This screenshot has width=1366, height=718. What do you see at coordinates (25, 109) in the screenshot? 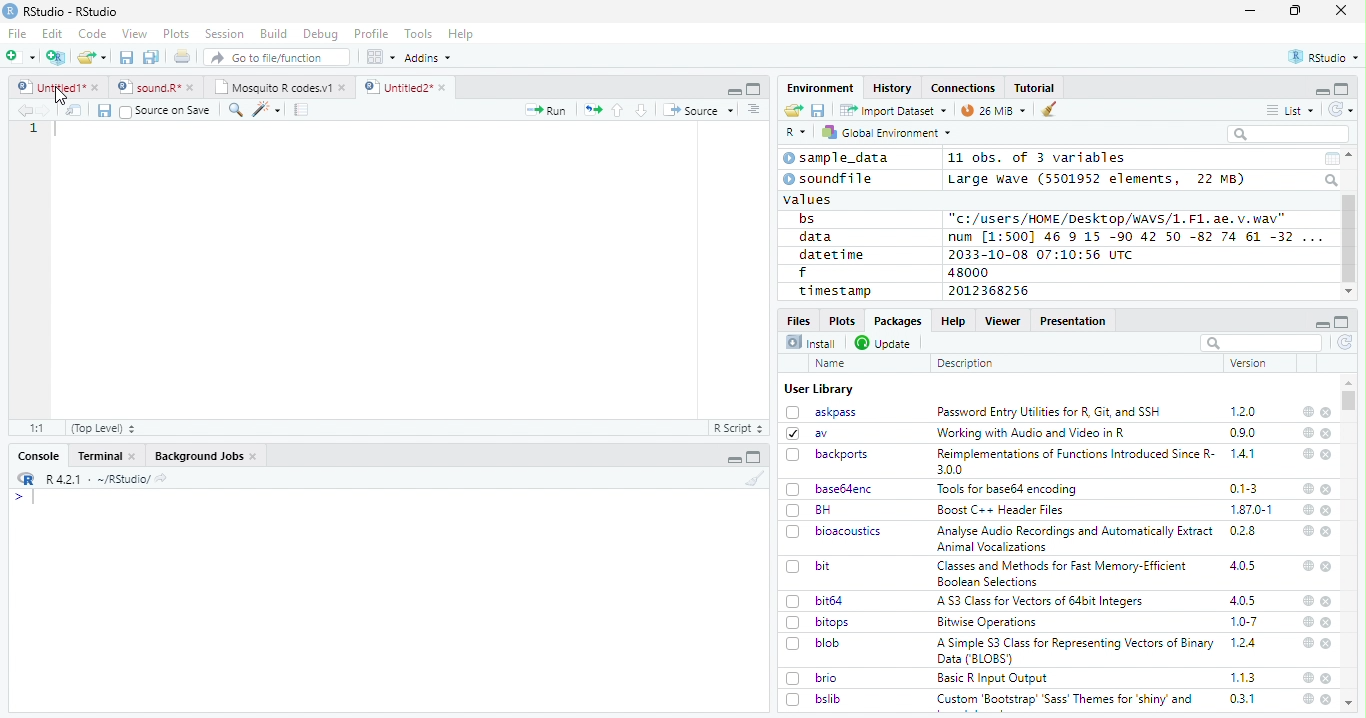
I see `go backward` at bounding box center [25, 109].